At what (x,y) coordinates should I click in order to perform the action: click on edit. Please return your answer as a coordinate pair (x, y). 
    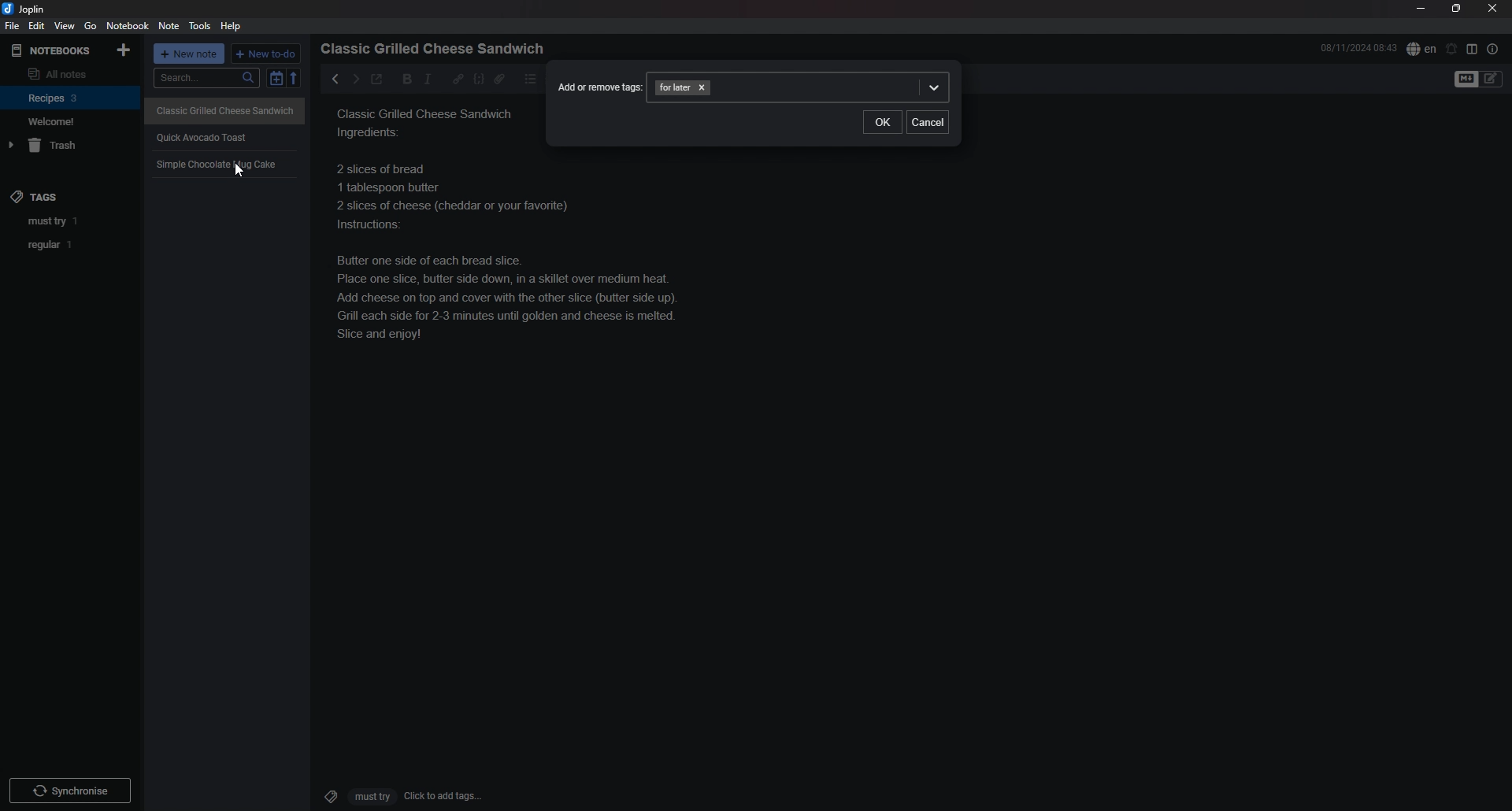
    Looking at the image, I should click on (35, 26).